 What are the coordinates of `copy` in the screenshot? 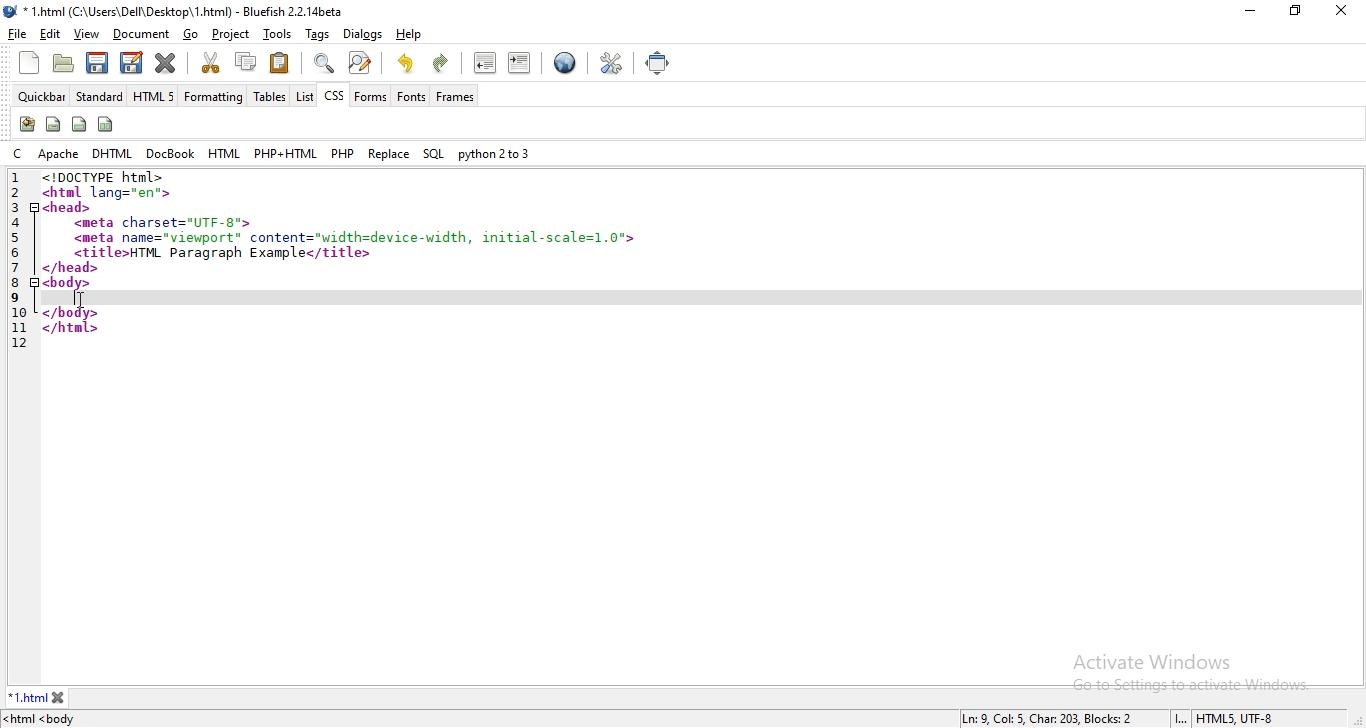 It's located at (244, 61).